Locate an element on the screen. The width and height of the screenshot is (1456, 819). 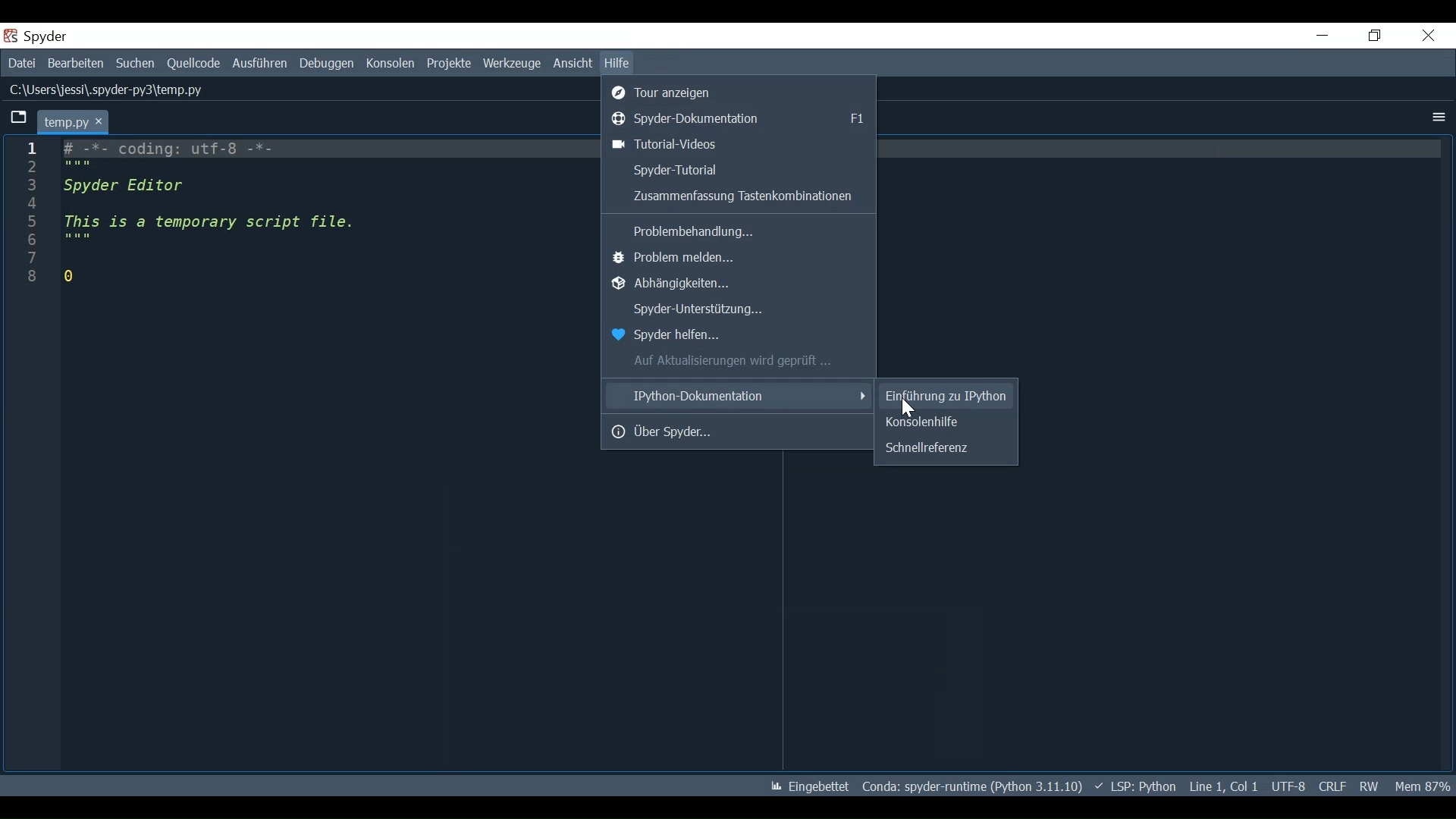
UTF-8 is located at coordinates (1289, 786).